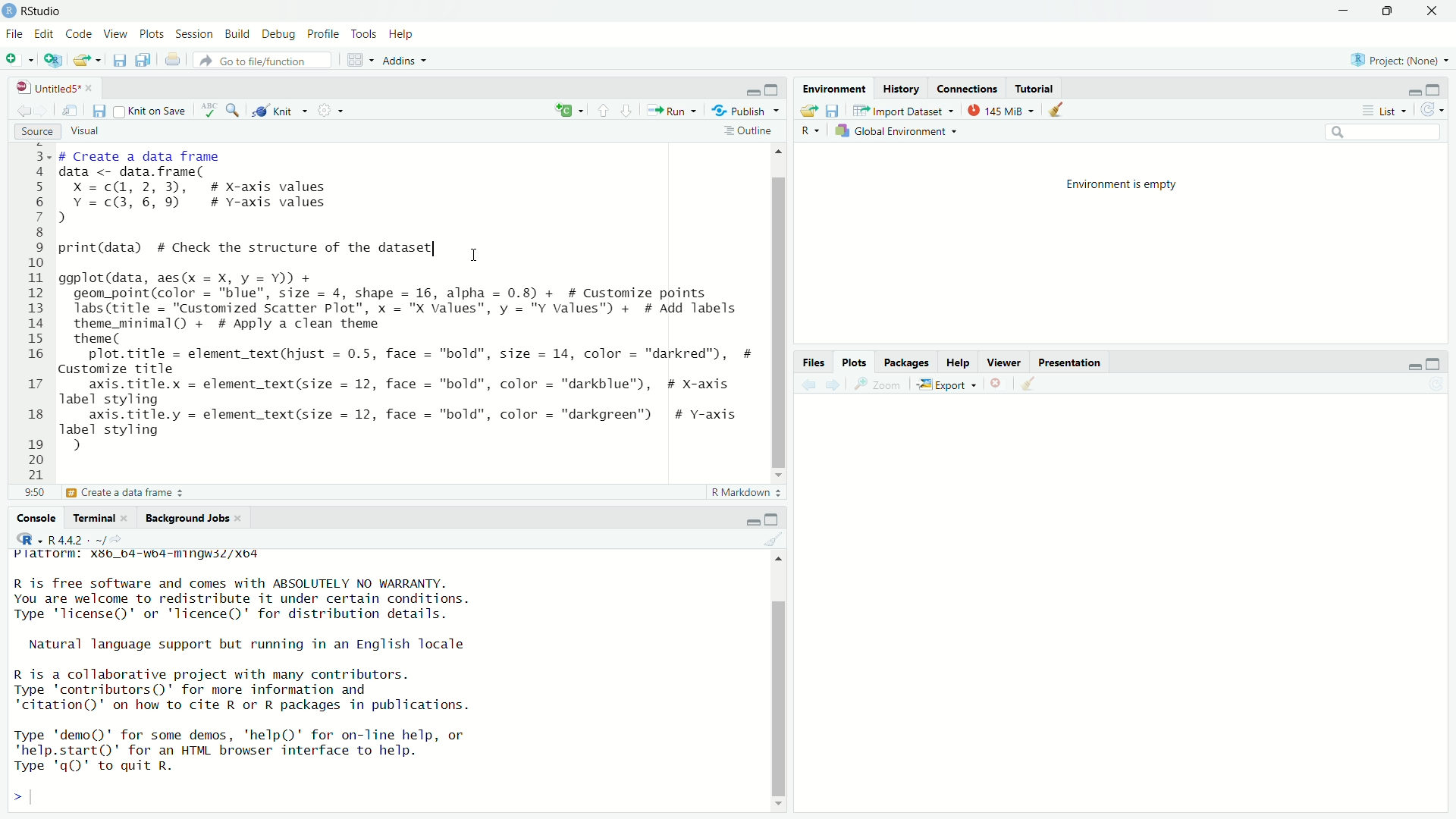 The width and height of the screenshot is (1456, 819). What do you see at coordinates (1345, 11) in the screenshot?
I see `minimize` at bounding box center [1345, 11].